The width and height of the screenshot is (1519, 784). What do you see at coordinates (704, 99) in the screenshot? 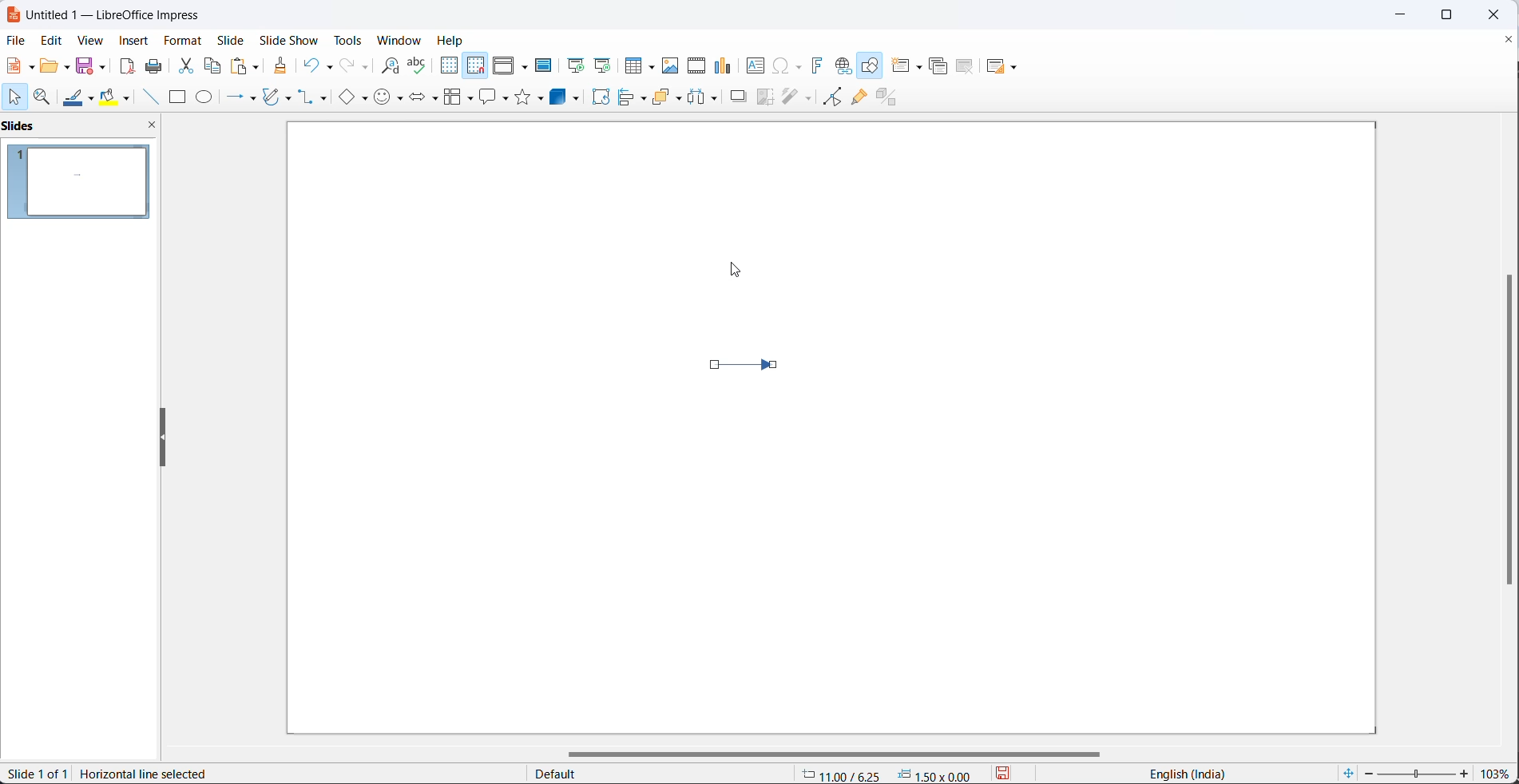
I see `distribute objects` at bounding box center [704, 99].